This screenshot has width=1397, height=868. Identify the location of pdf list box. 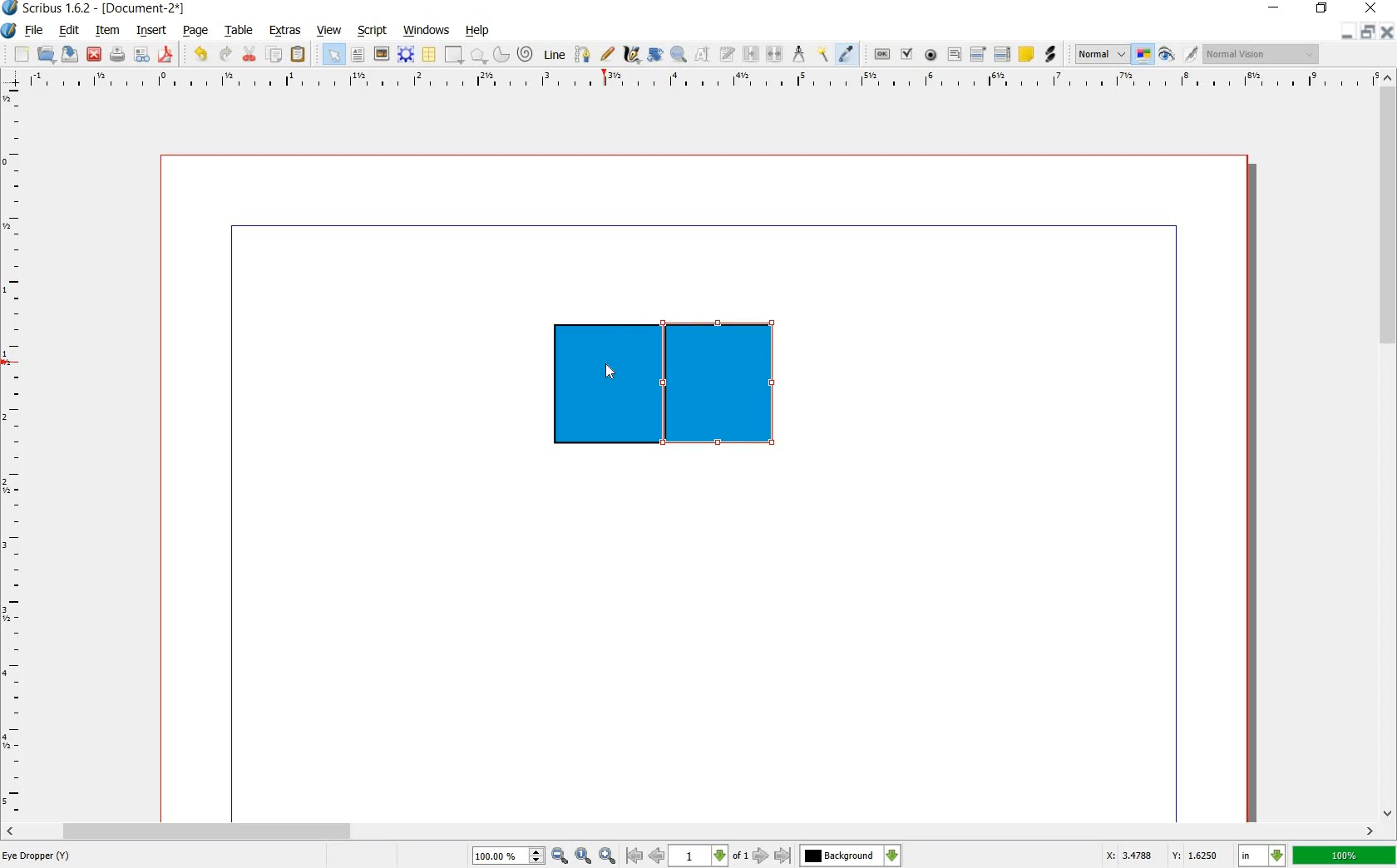
(1002, 55).